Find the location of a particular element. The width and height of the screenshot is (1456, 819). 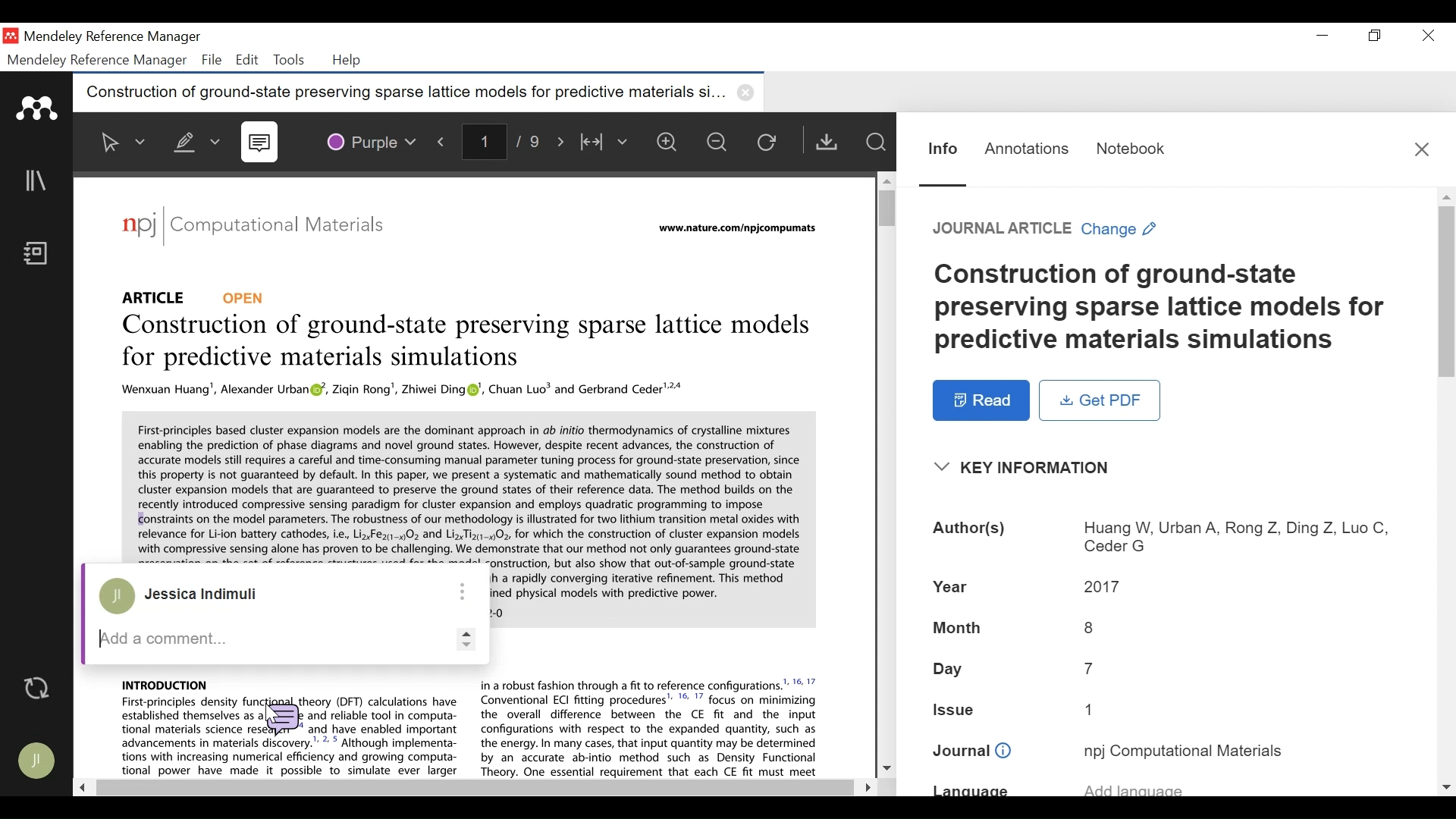

Scroll up is located at coordinates (886, 178).